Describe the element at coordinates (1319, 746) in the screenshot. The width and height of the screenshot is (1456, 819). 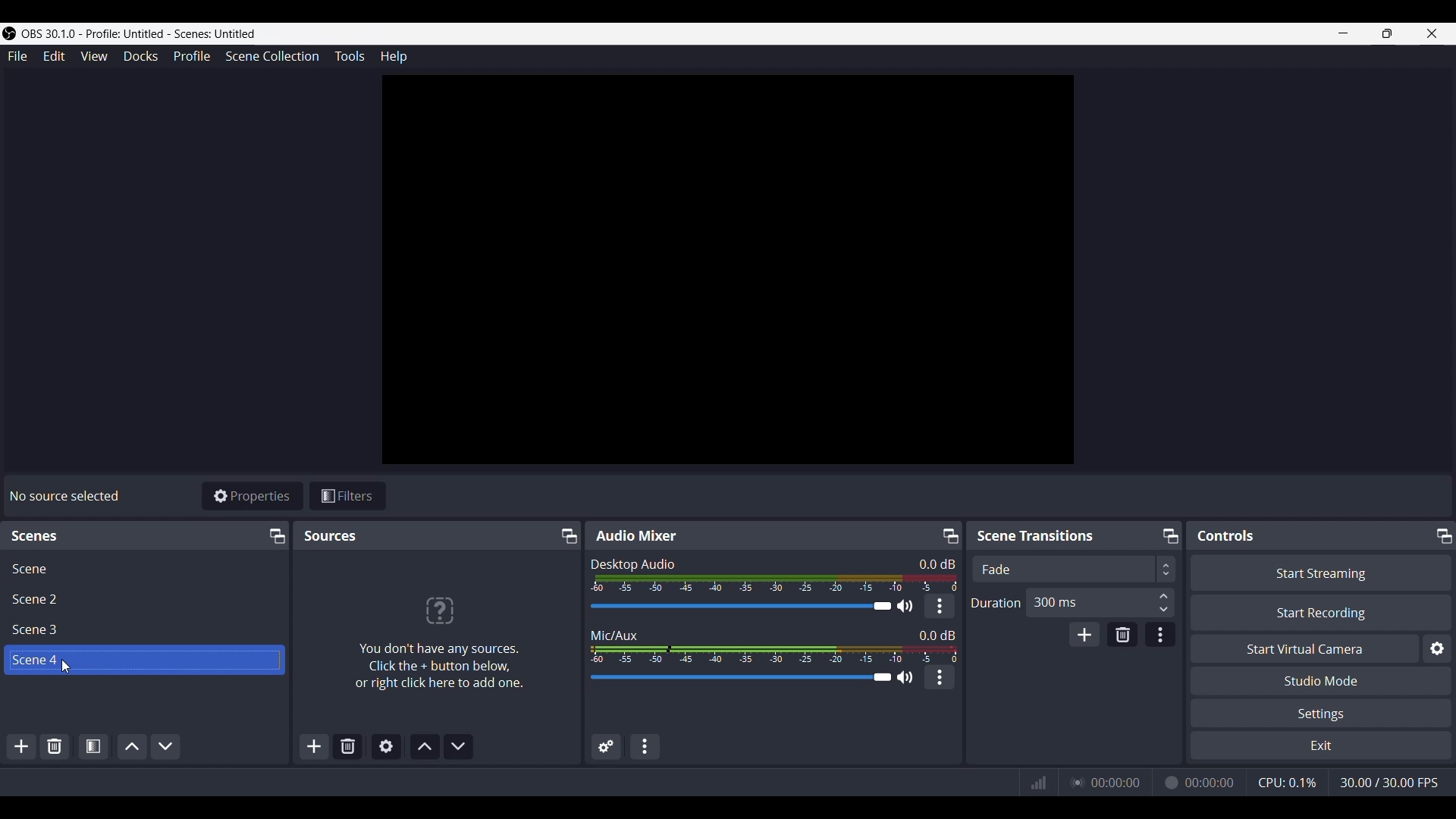
I see `Exit` at that location.